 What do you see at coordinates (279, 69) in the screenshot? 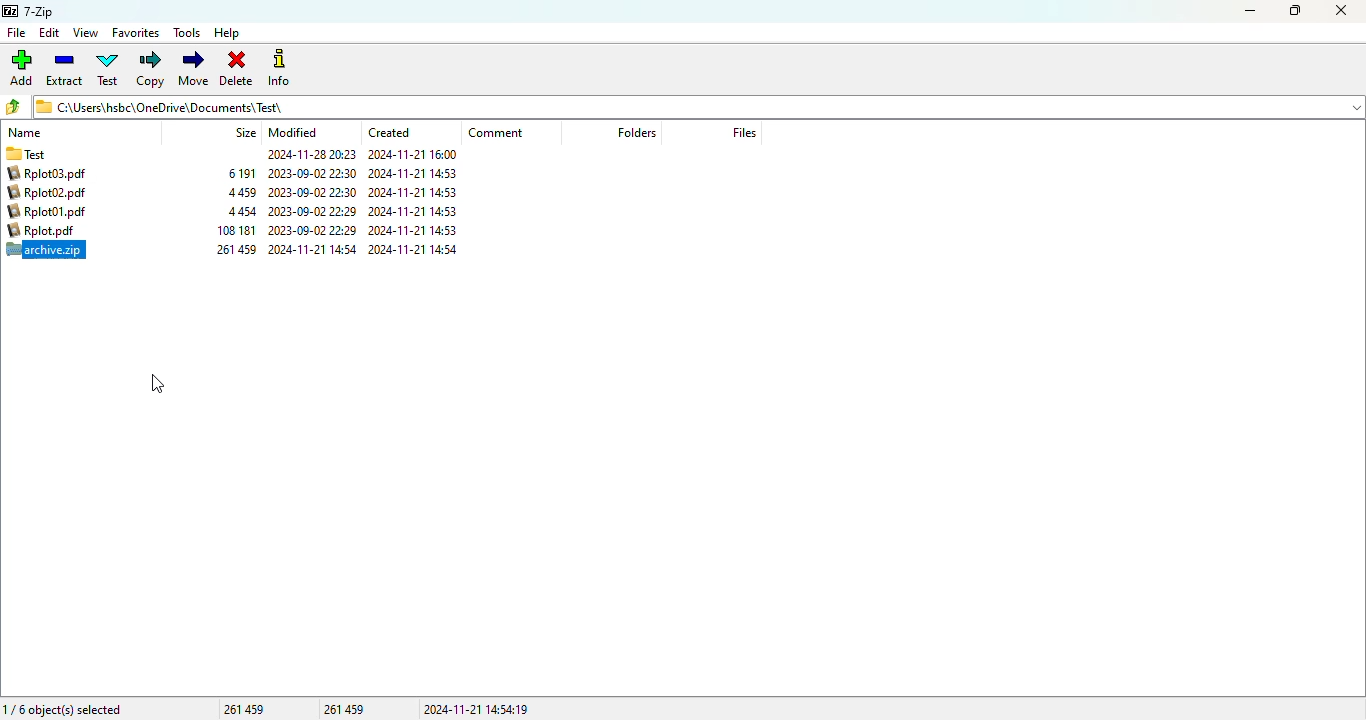
I see `info` at bounding box center [279, 69].